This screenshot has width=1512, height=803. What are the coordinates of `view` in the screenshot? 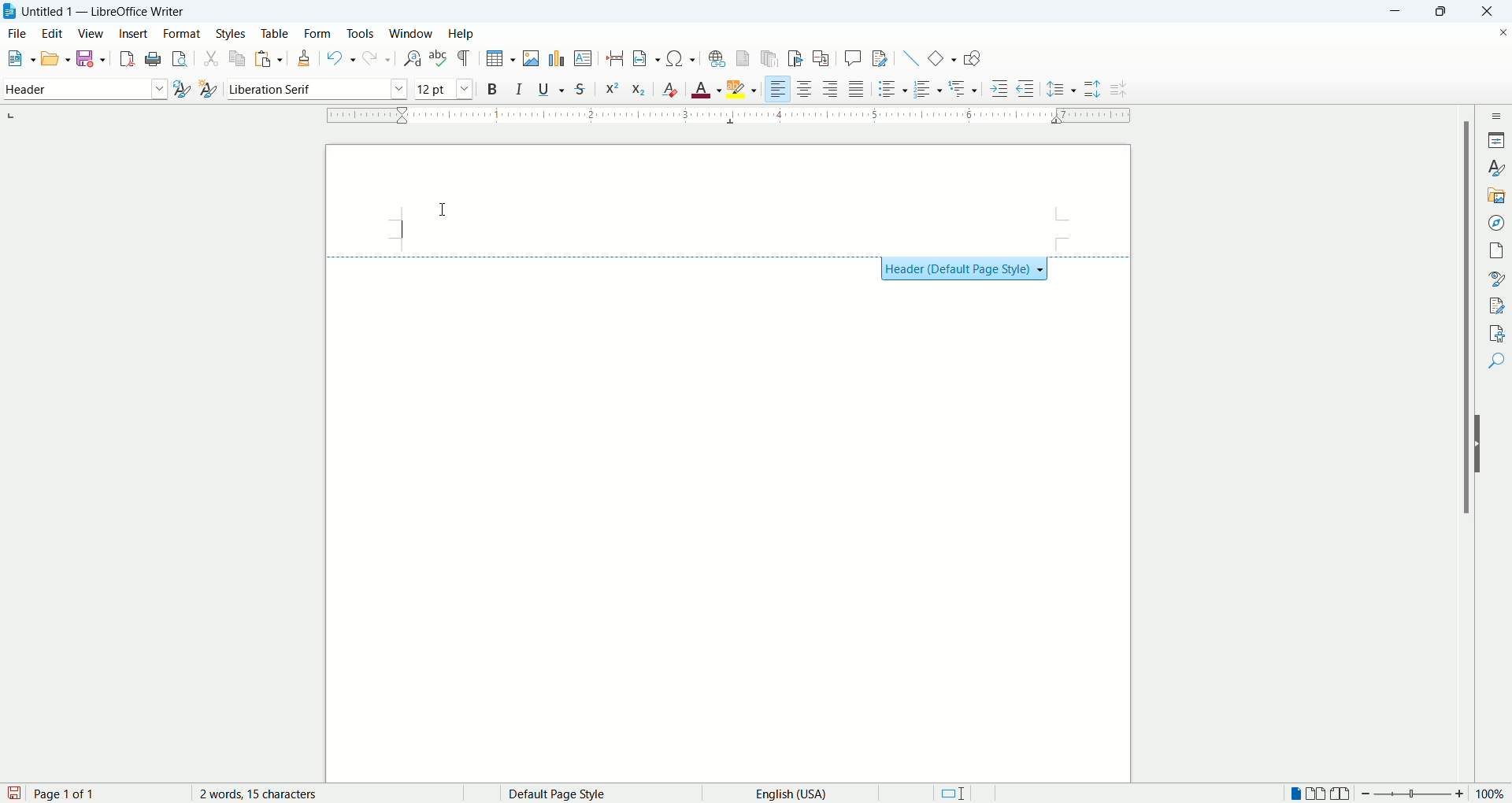 It's located at (92, 34).